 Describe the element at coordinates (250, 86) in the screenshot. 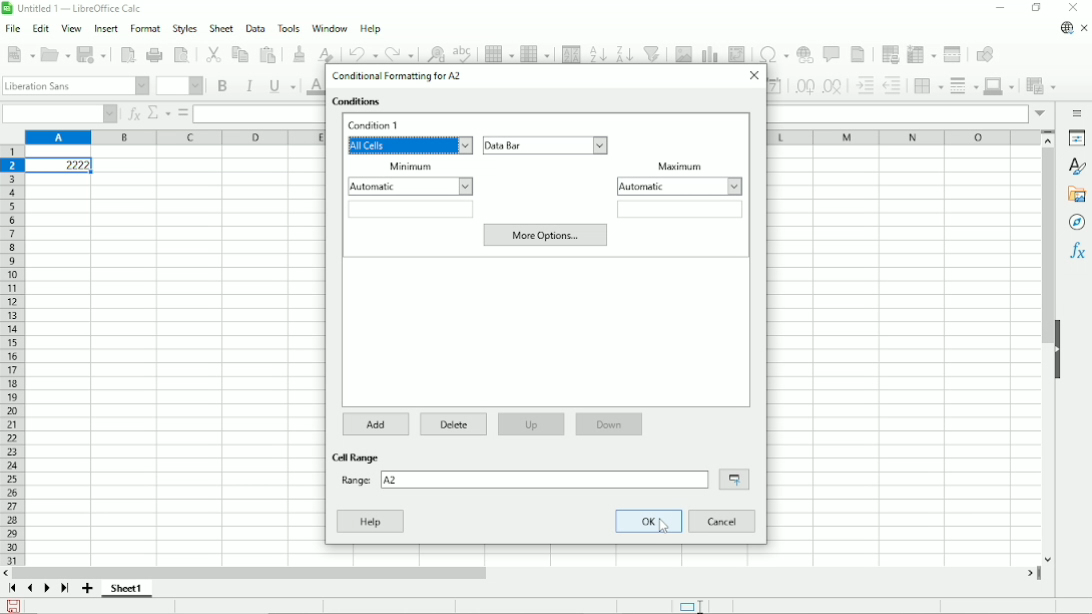

I see `Italic` at that location.